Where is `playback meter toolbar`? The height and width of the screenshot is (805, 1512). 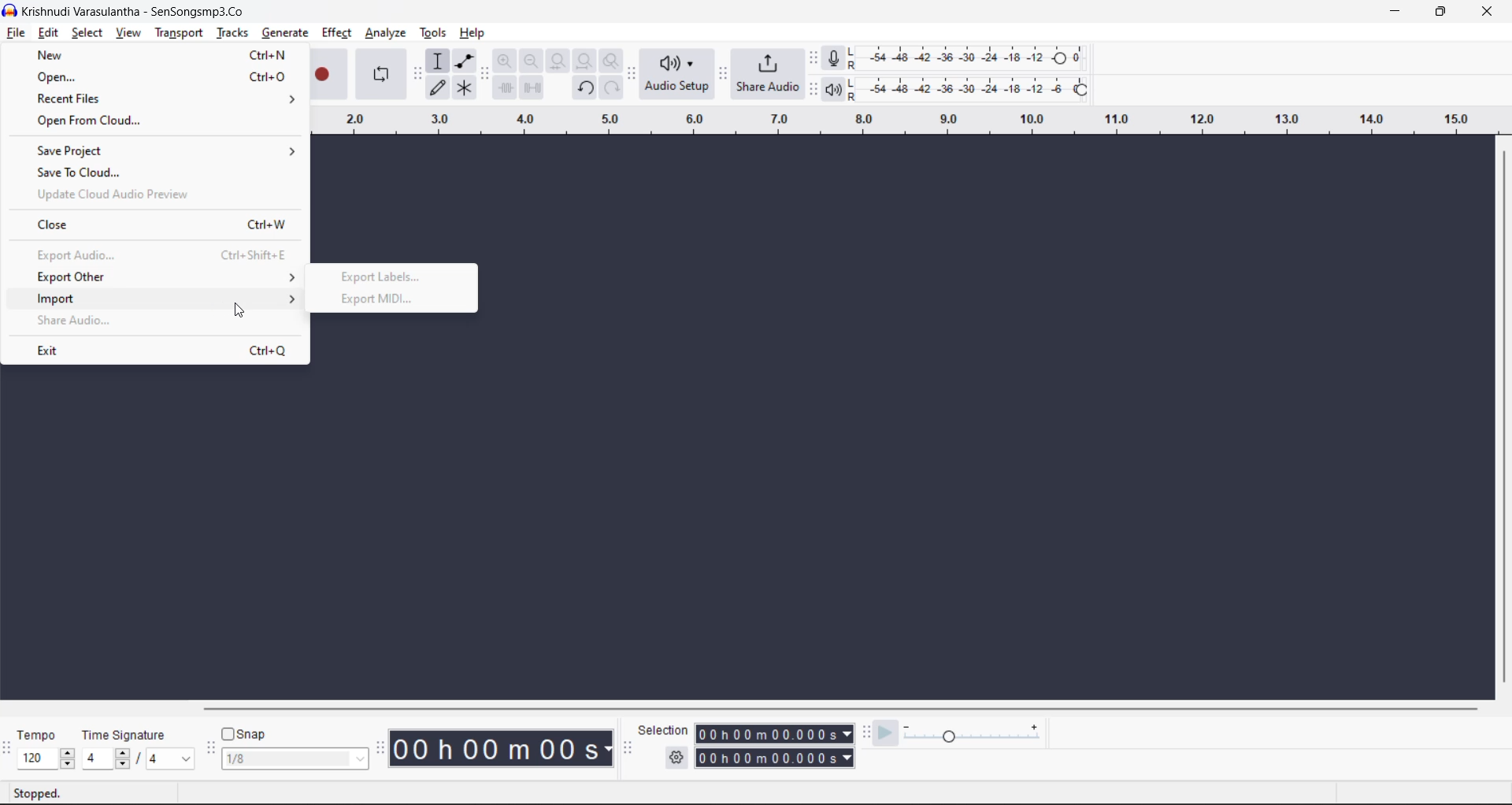 playback meter toolbar is located at coordinates (812, 89).